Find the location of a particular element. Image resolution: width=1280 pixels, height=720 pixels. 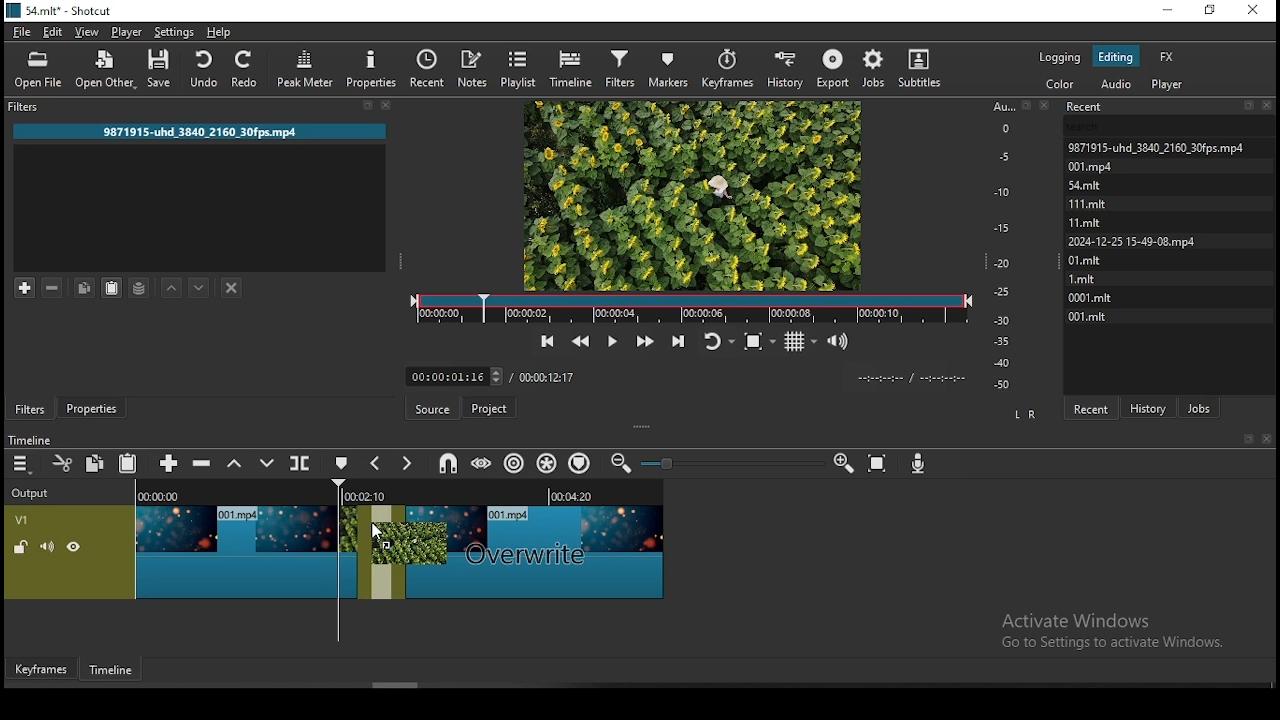

timer is located at coordinates (455, 377).